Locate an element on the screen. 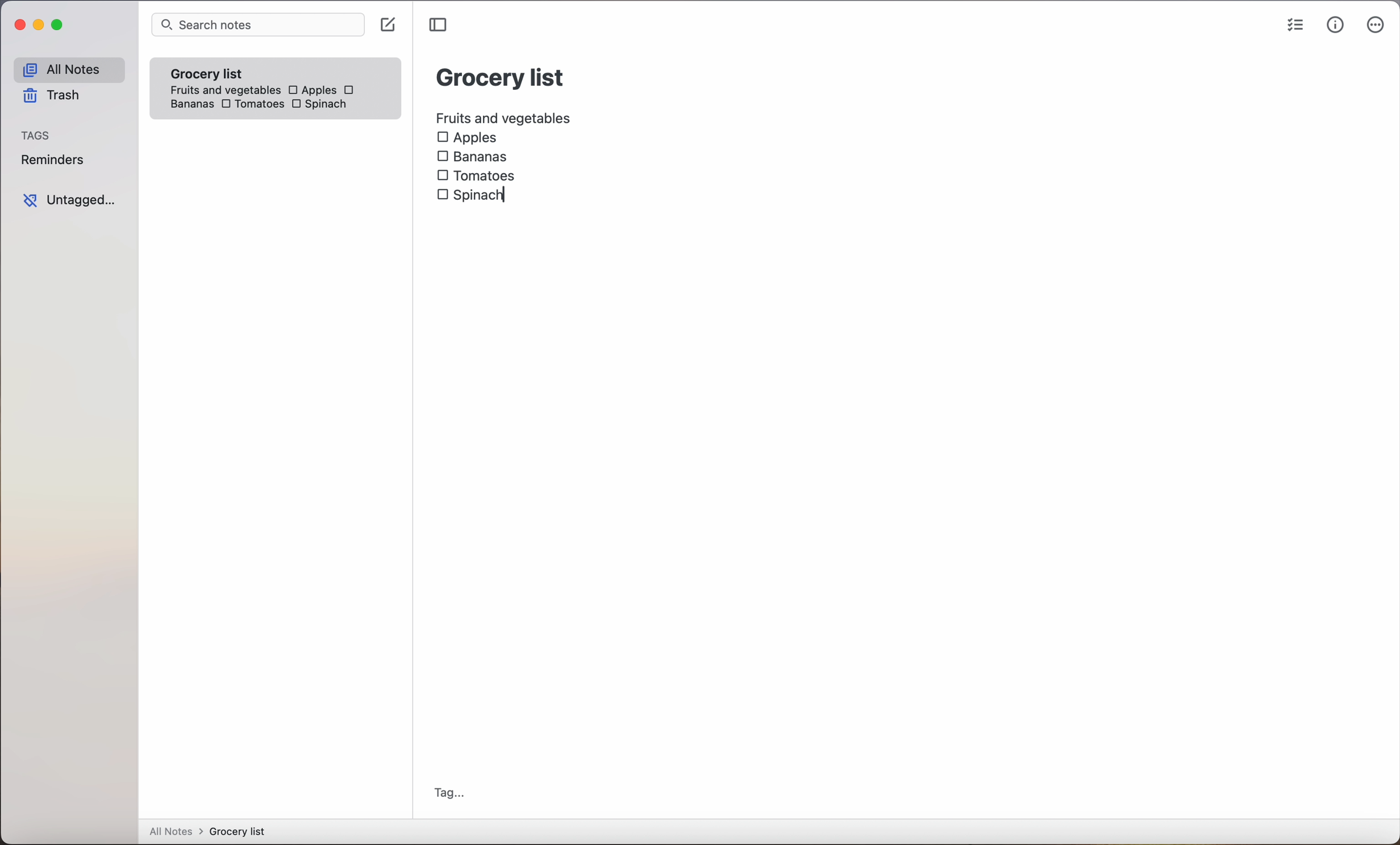 Image resolution: width=1400 pixels, height=845 pixels. bananas is located at coordinates (190, 104).